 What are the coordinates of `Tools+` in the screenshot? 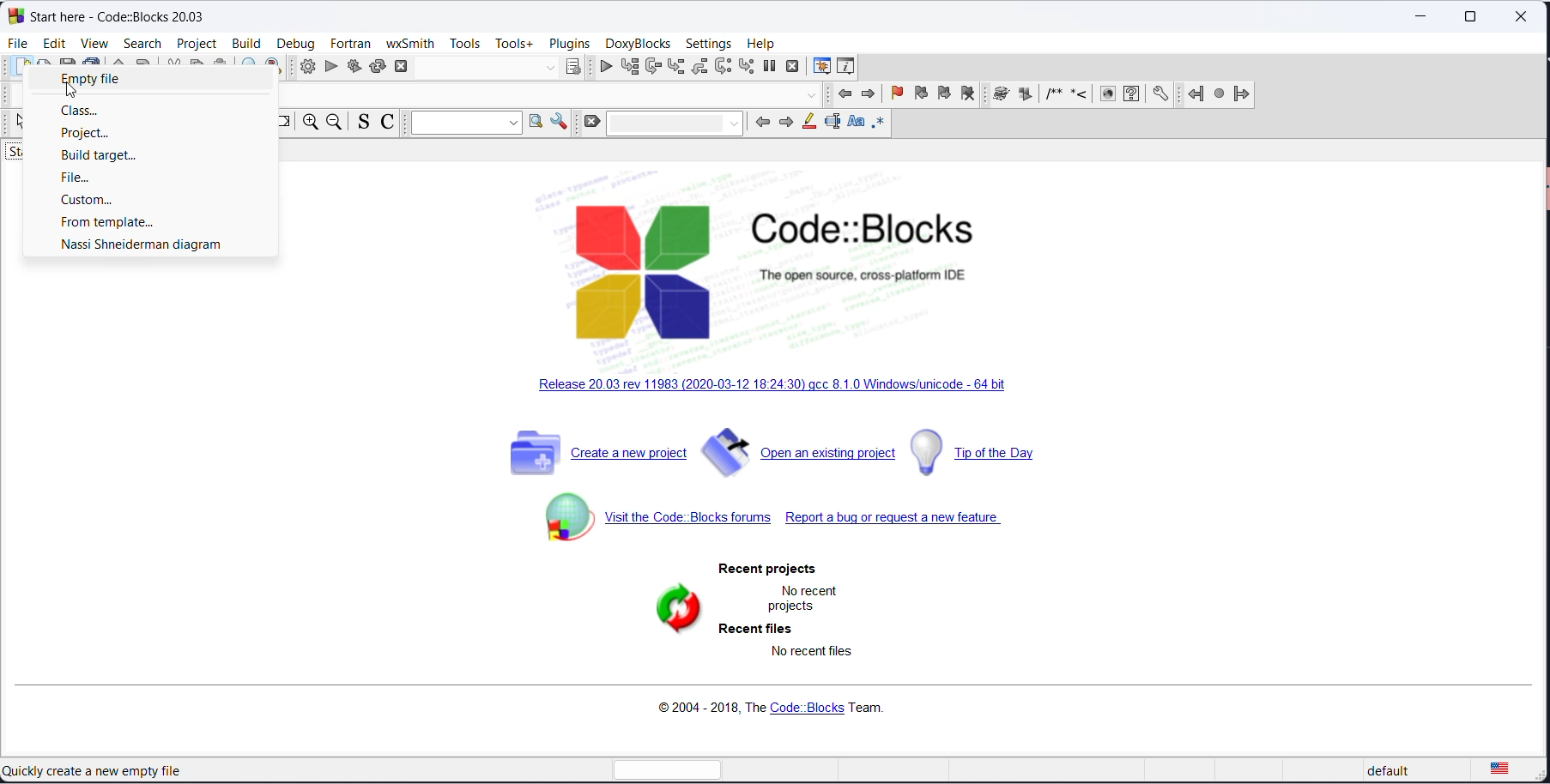 It's located at (514, 44).